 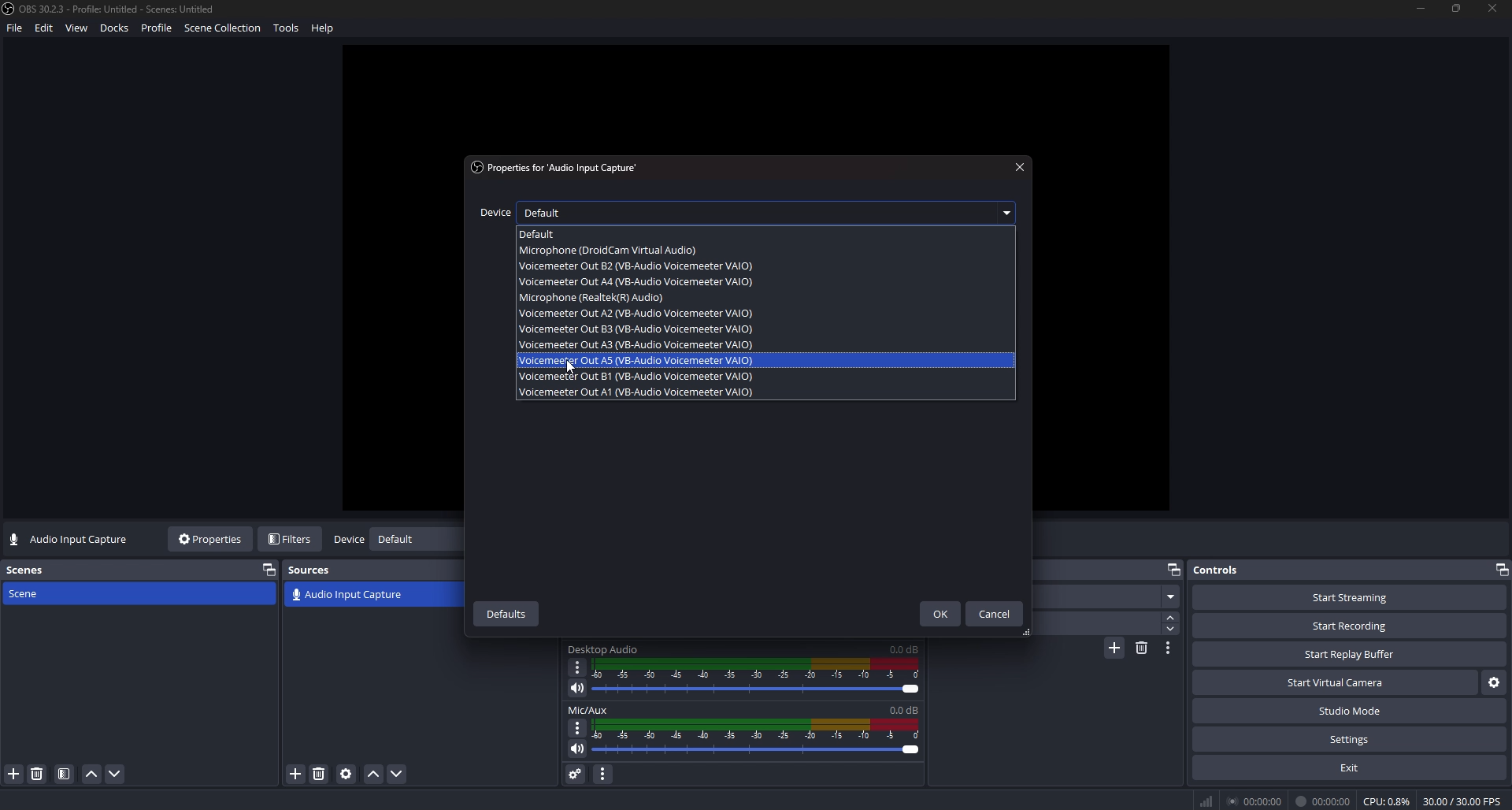 I want to click on increase duration, so click(x=1173, y=616).